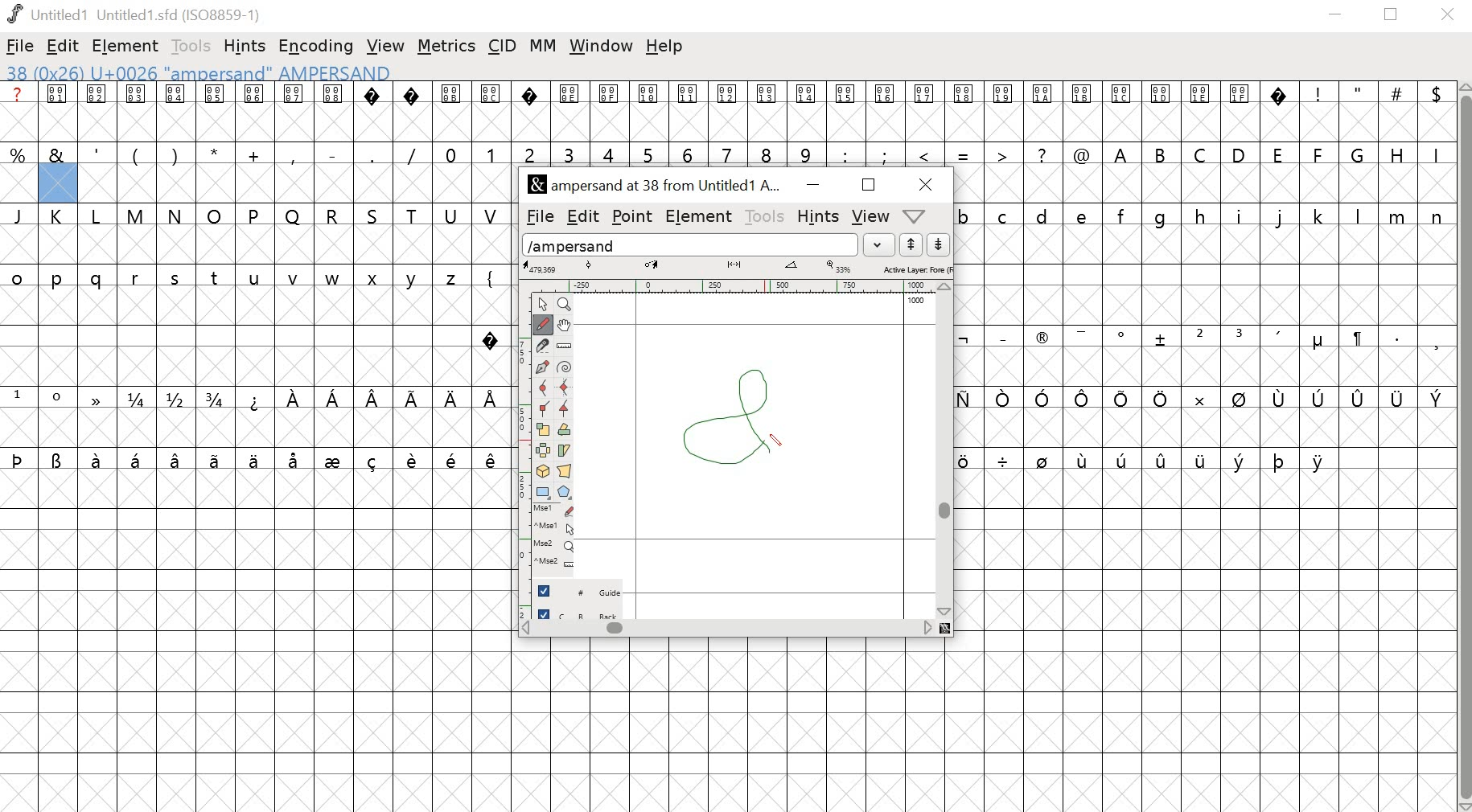 The width and height of the screenshot is (1472, 812). Describe the element at coordinates (99, 459) in the screenshot. I see `symbol` at that location.